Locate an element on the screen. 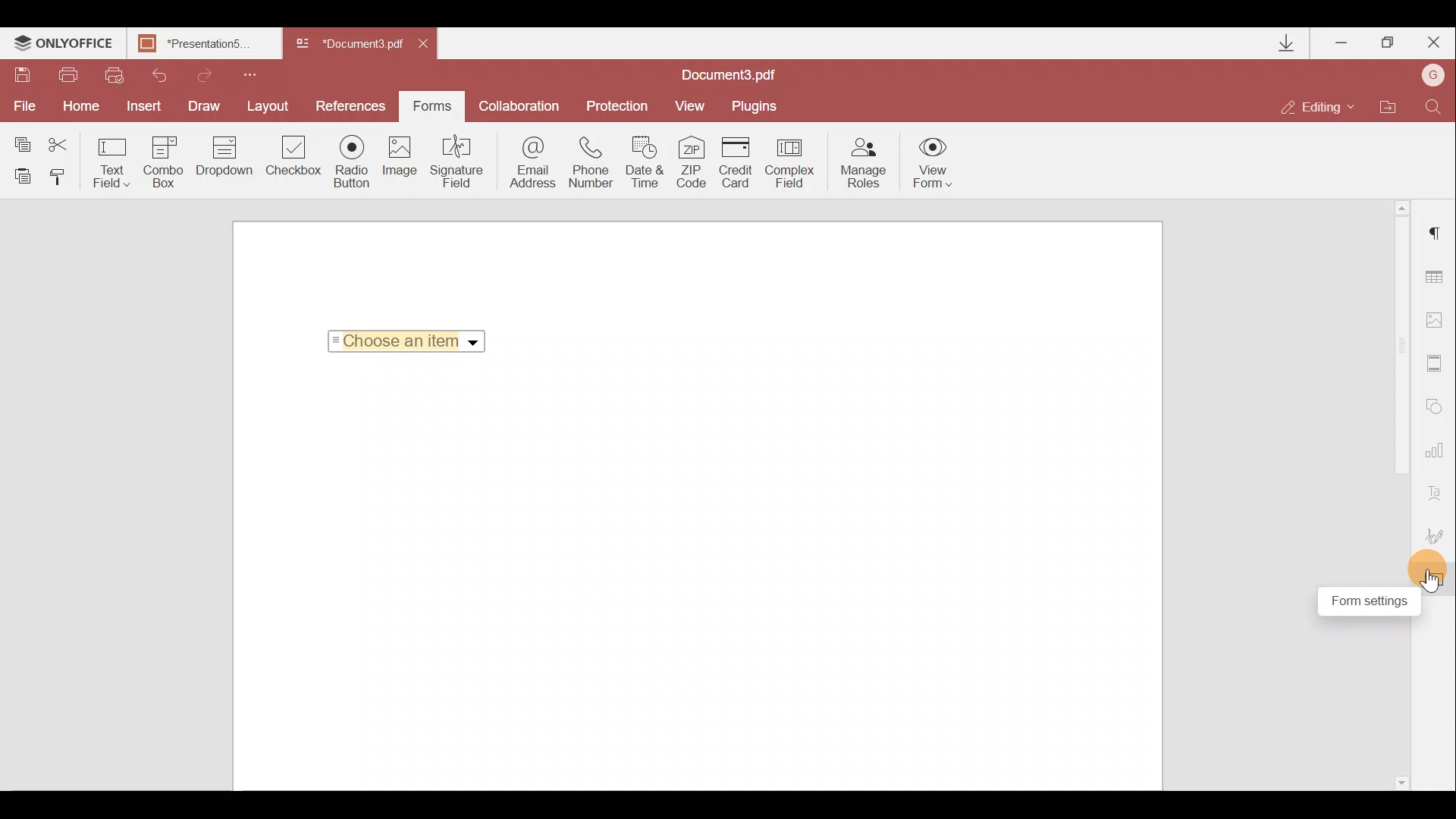 This screenshot has height=819, width=1456. Account name is located at coordinates (1429, 77).